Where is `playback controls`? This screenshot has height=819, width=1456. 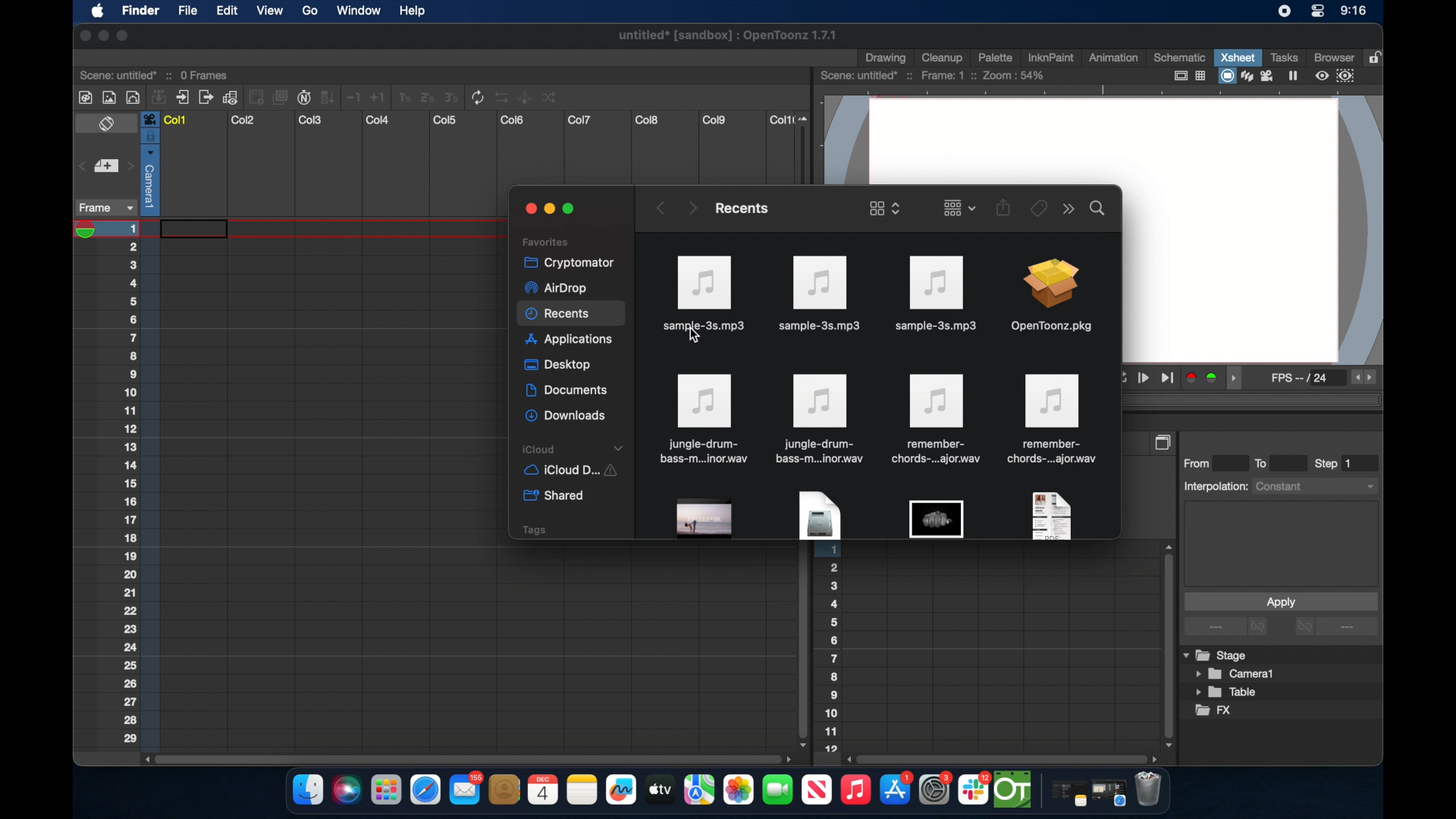
playback controls is located at coordinates (1148, 378).